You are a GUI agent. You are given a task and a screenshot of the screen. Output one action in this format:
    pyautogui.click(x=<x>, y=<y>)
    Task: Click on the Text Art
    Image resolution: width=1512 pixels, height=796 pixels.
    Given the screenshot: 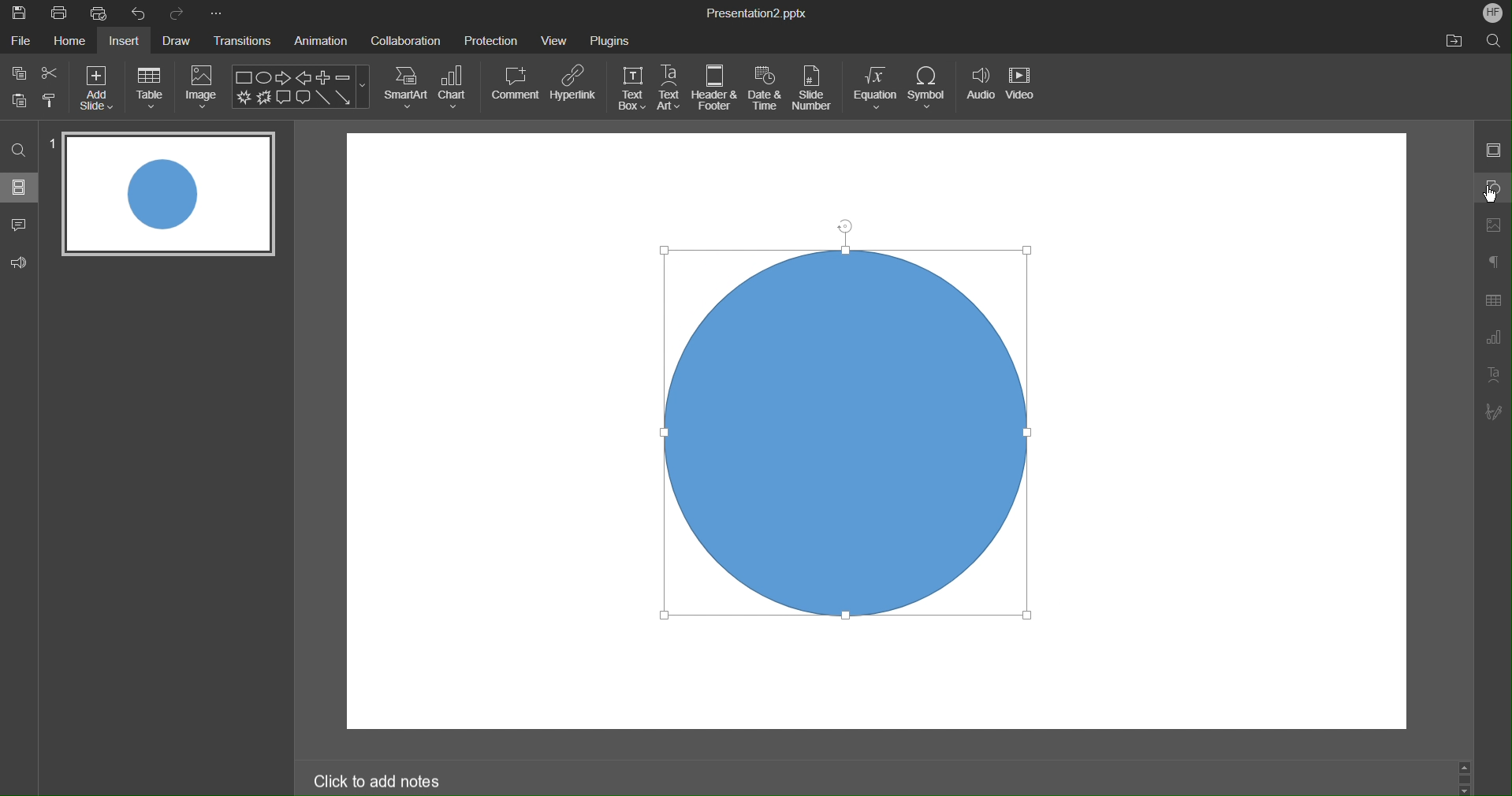 What is the action you would take?
    pyautogui.click(x=1495, y=379)
    